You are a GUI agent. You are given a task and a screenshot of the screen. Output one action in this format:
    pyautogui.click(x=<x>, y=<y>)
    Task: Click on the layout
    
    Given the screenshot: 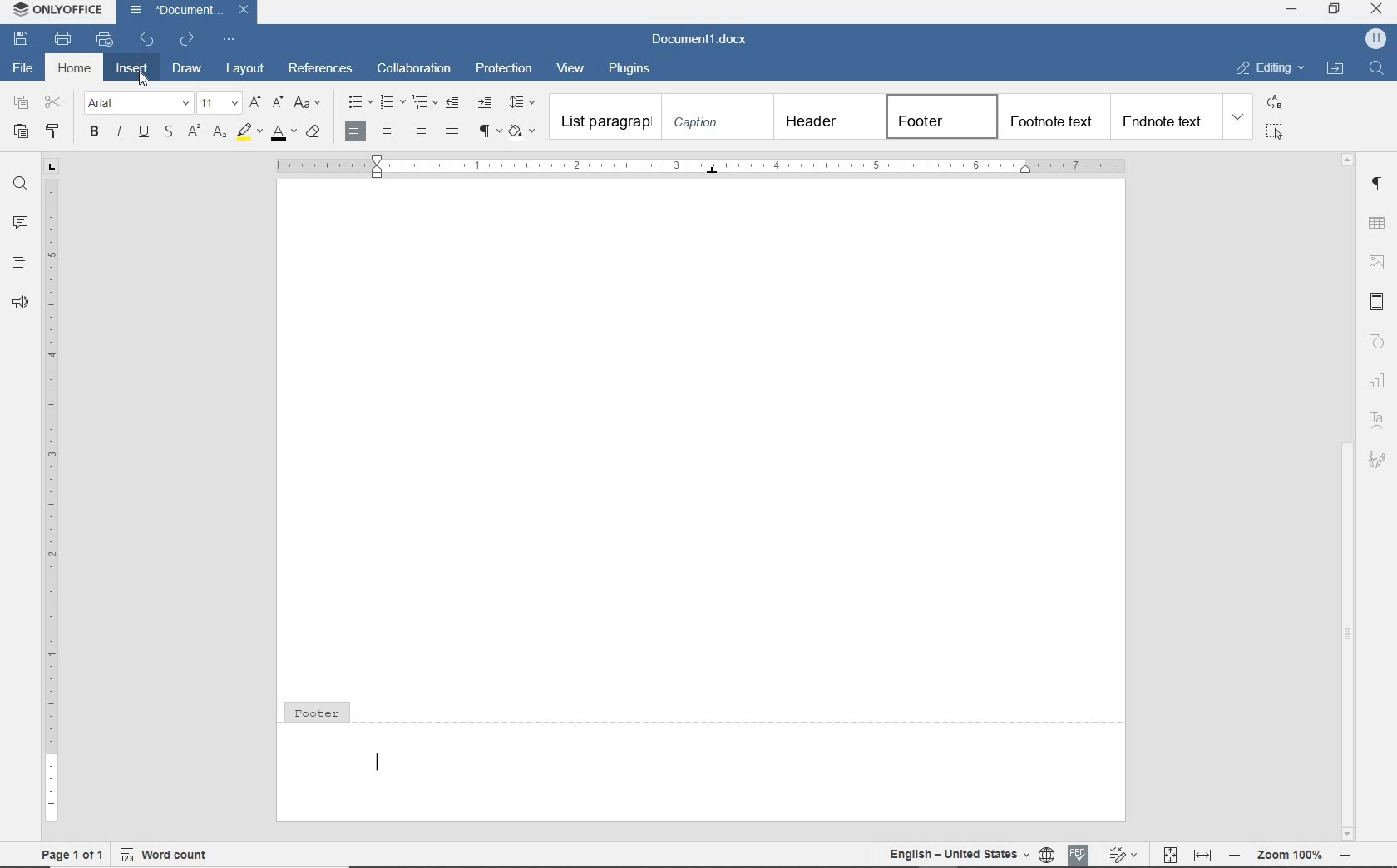 What is the action you would take?
    pyautogui.click(x=245, y=70)
    